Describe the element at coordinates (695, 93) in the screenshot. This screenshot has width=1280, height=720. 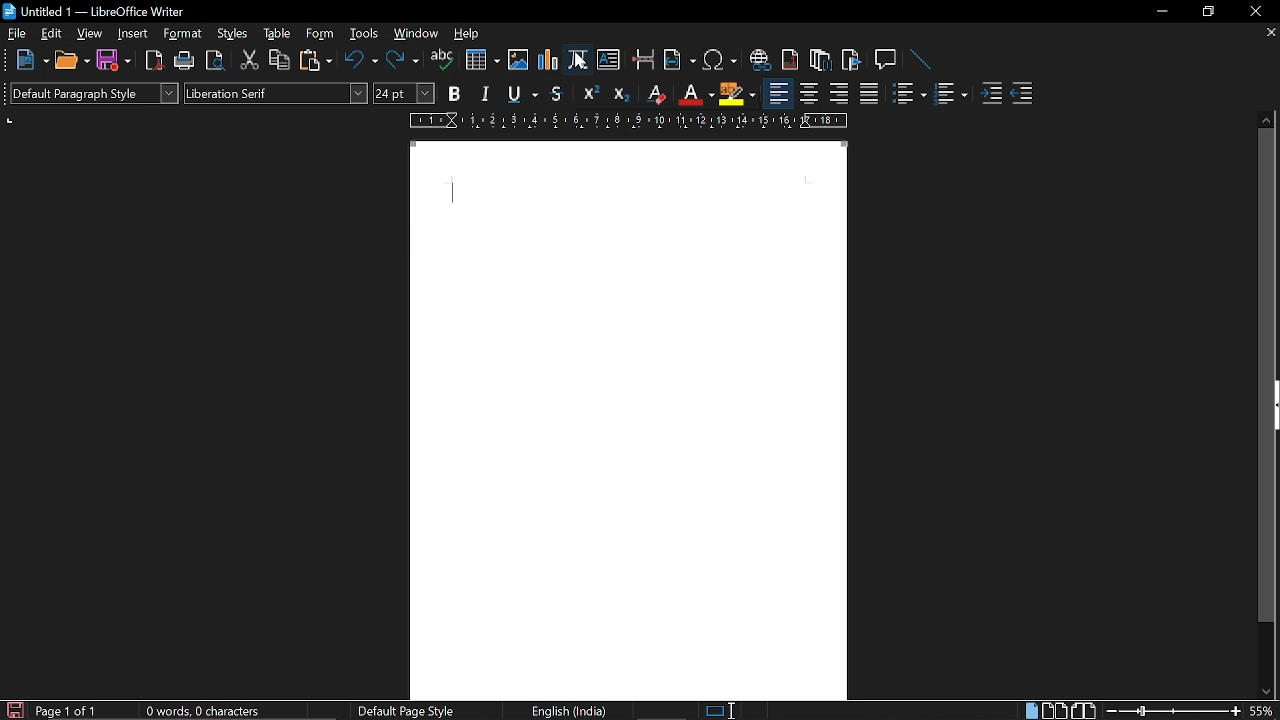
I see `text color` at that location.